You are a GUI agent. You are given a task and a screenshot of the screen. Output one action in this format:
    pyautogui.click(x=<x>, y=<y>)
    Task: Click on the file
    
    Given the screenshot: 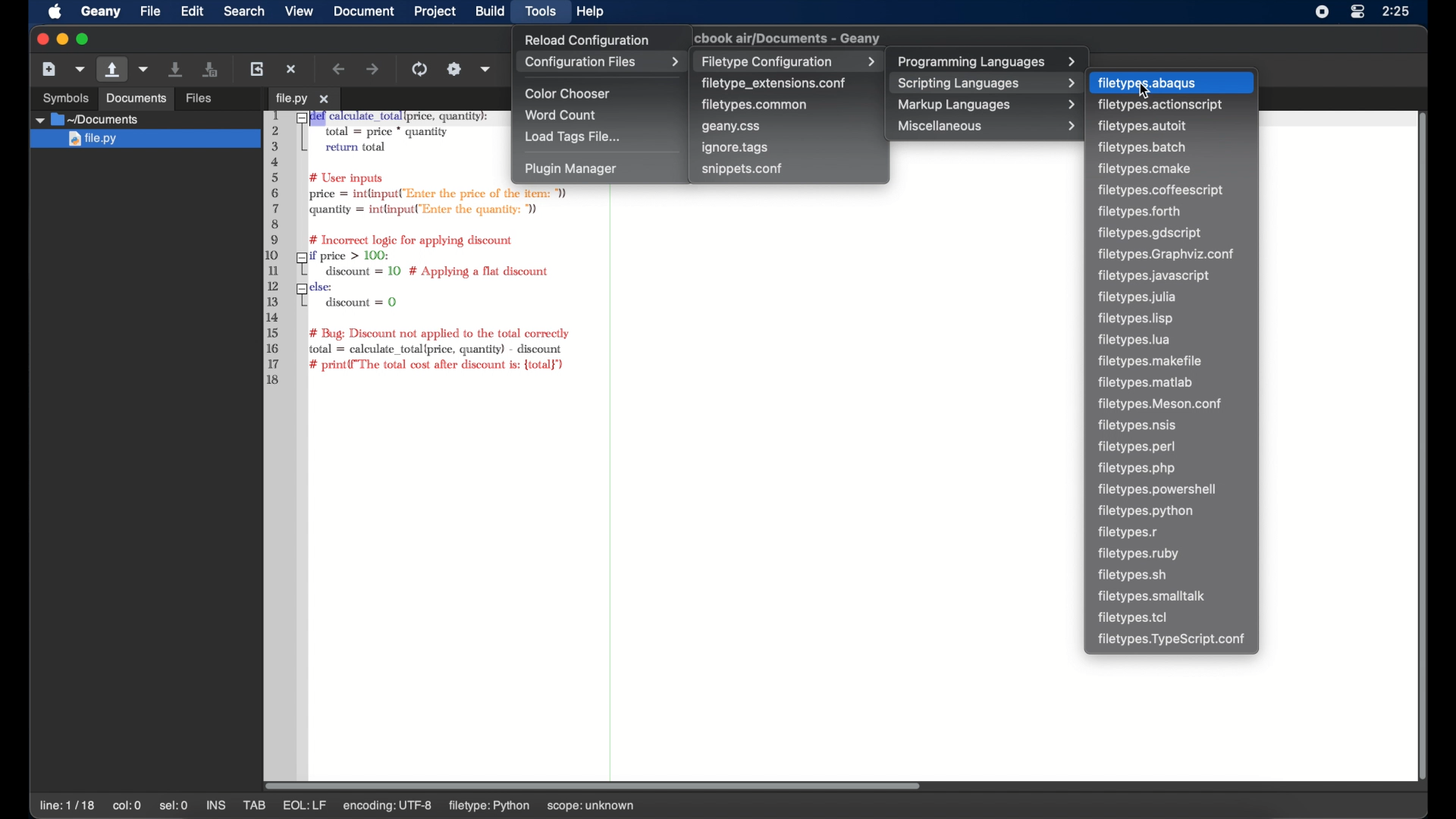 What is the action you would take?
    pyautogui.click(x=150, y=11)
    